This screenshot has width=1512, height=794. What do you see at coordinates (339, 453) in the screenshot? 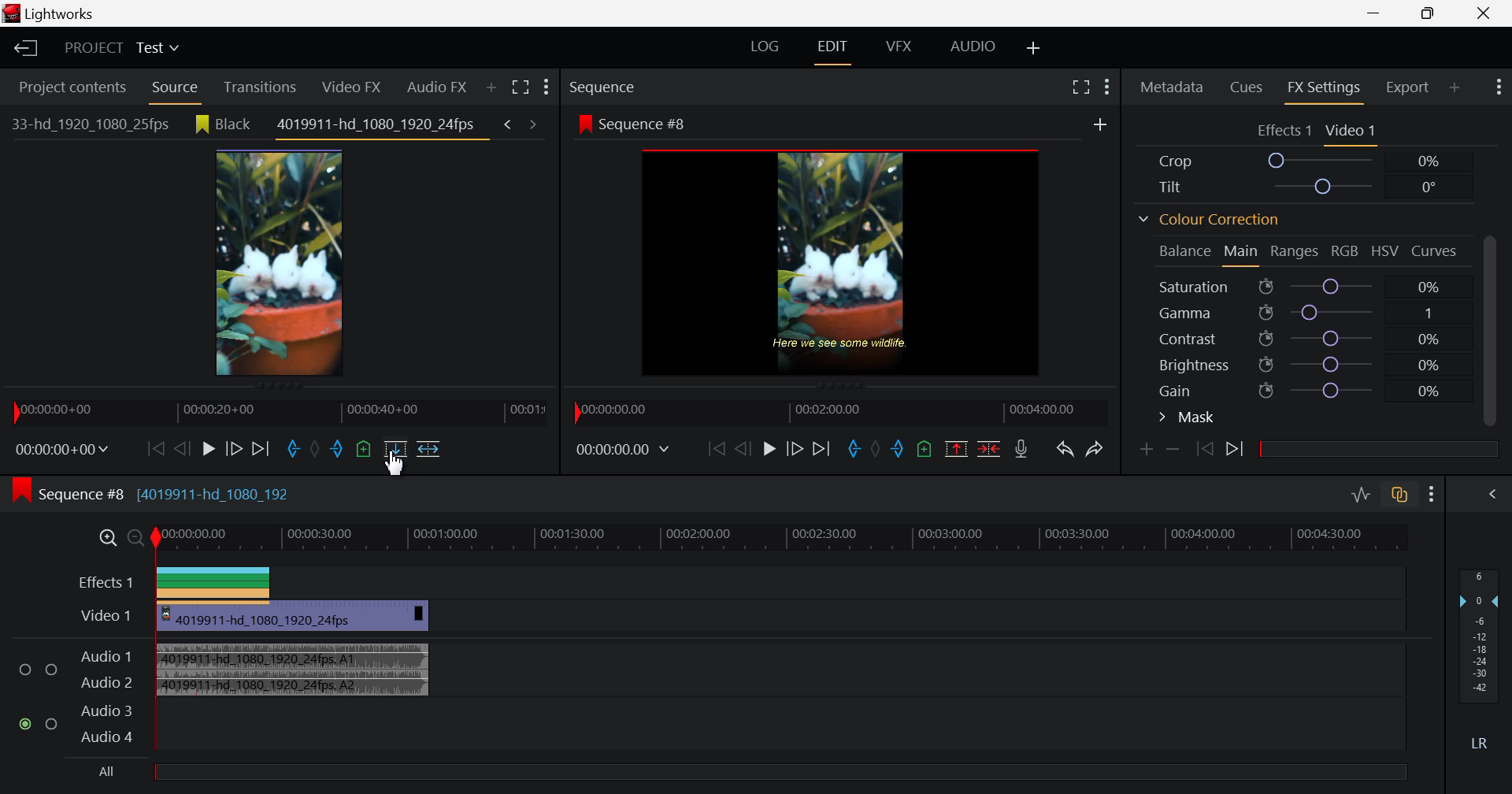
I see `Mark Out` at bounding box center [339, 453].